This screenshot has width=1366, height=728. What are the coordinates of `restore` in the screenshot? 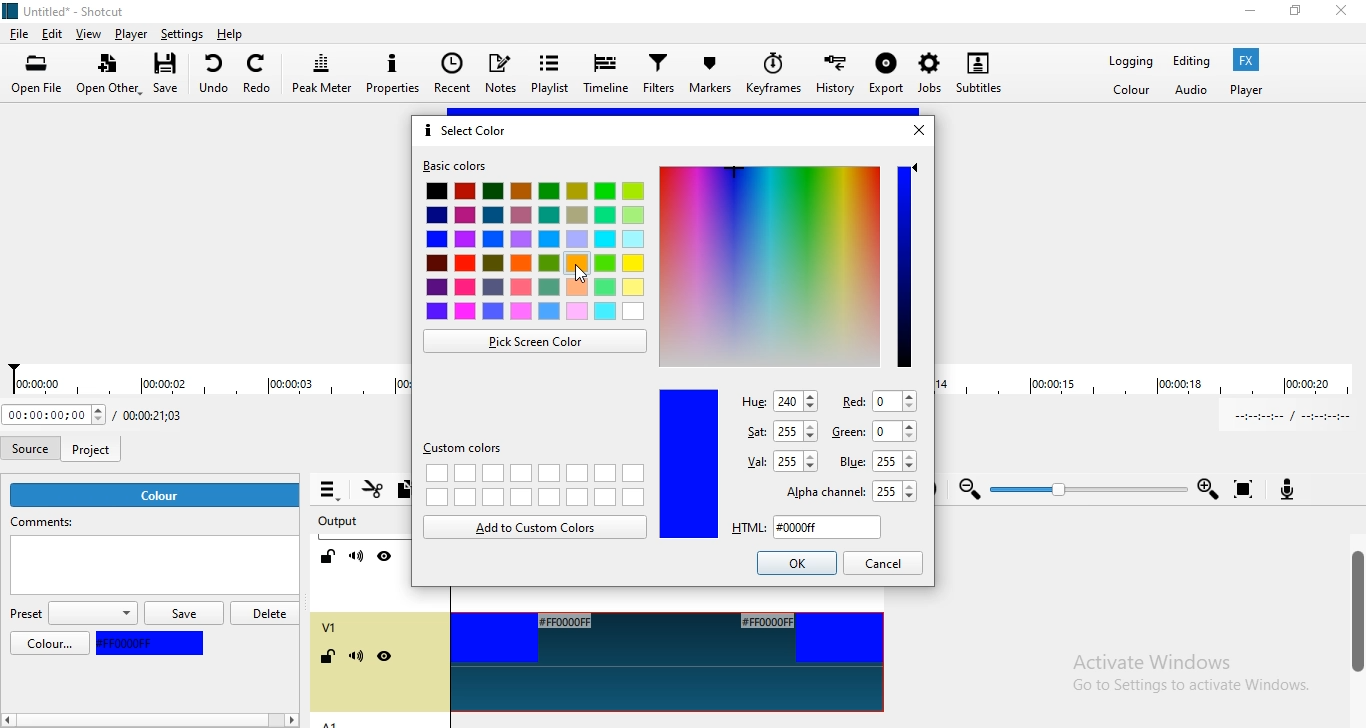 It's located at (1294, 15).